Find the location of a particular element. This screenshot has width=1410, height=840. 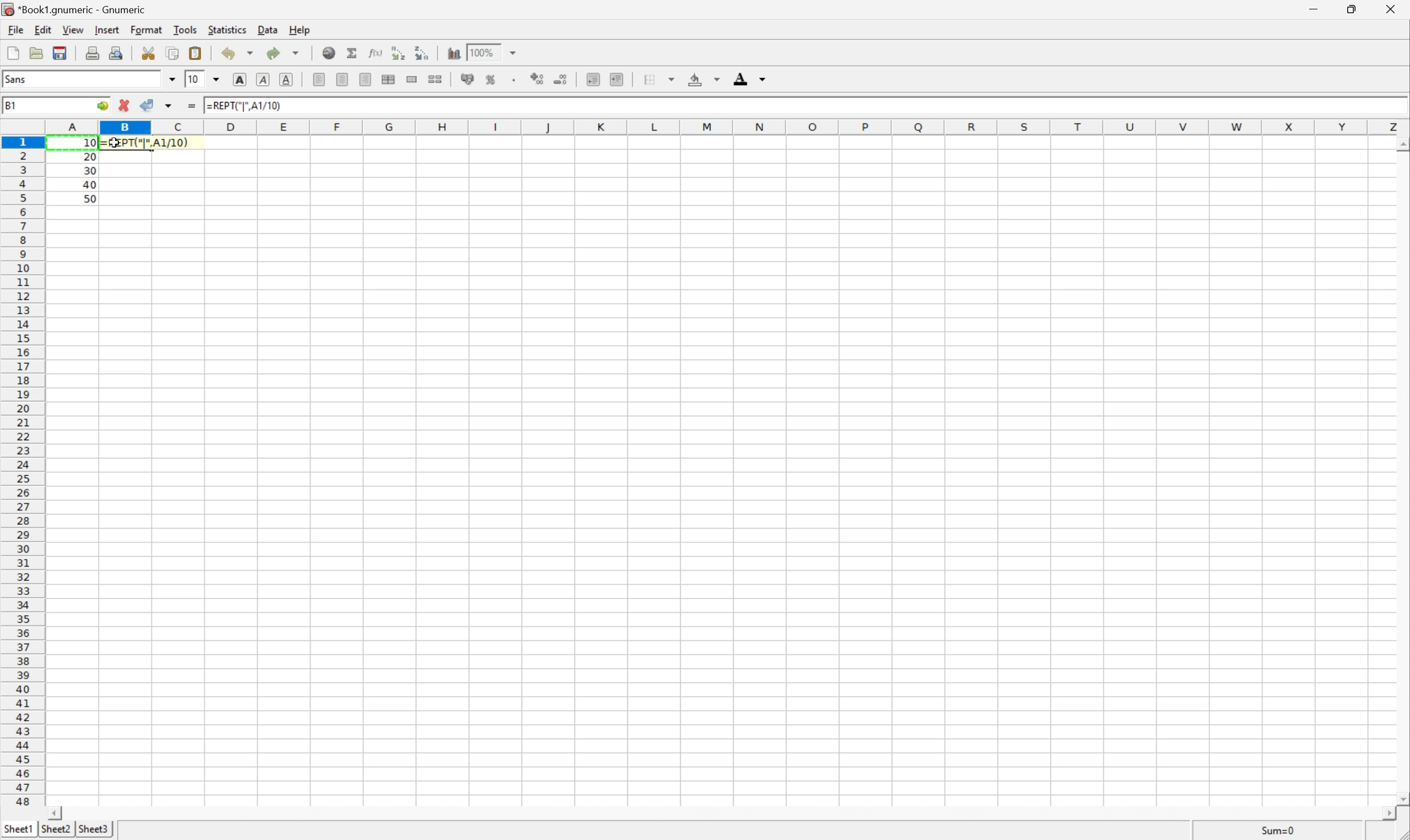

Copy selection is located at coordinates (174, 54).